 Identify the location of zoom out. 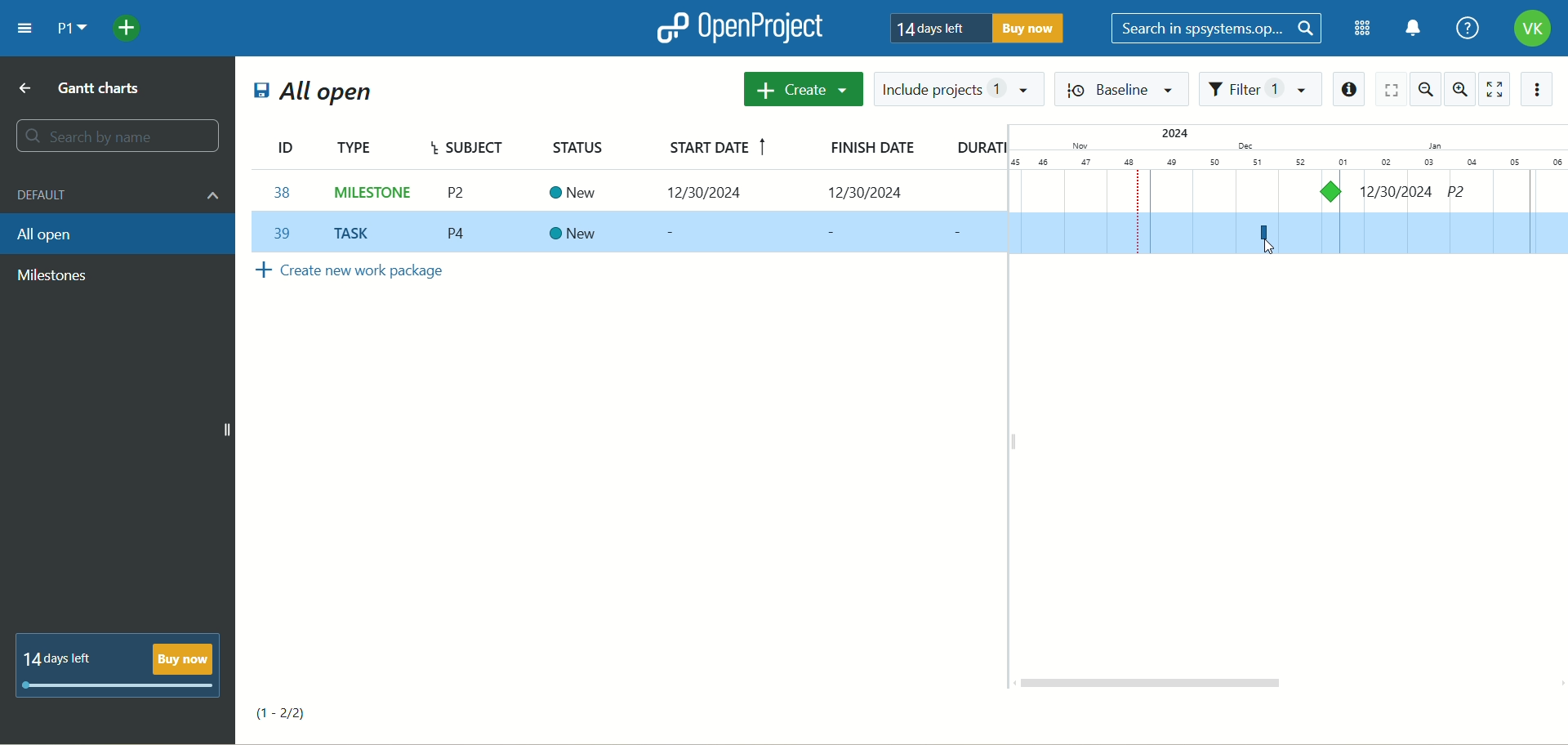
(1425, 87).